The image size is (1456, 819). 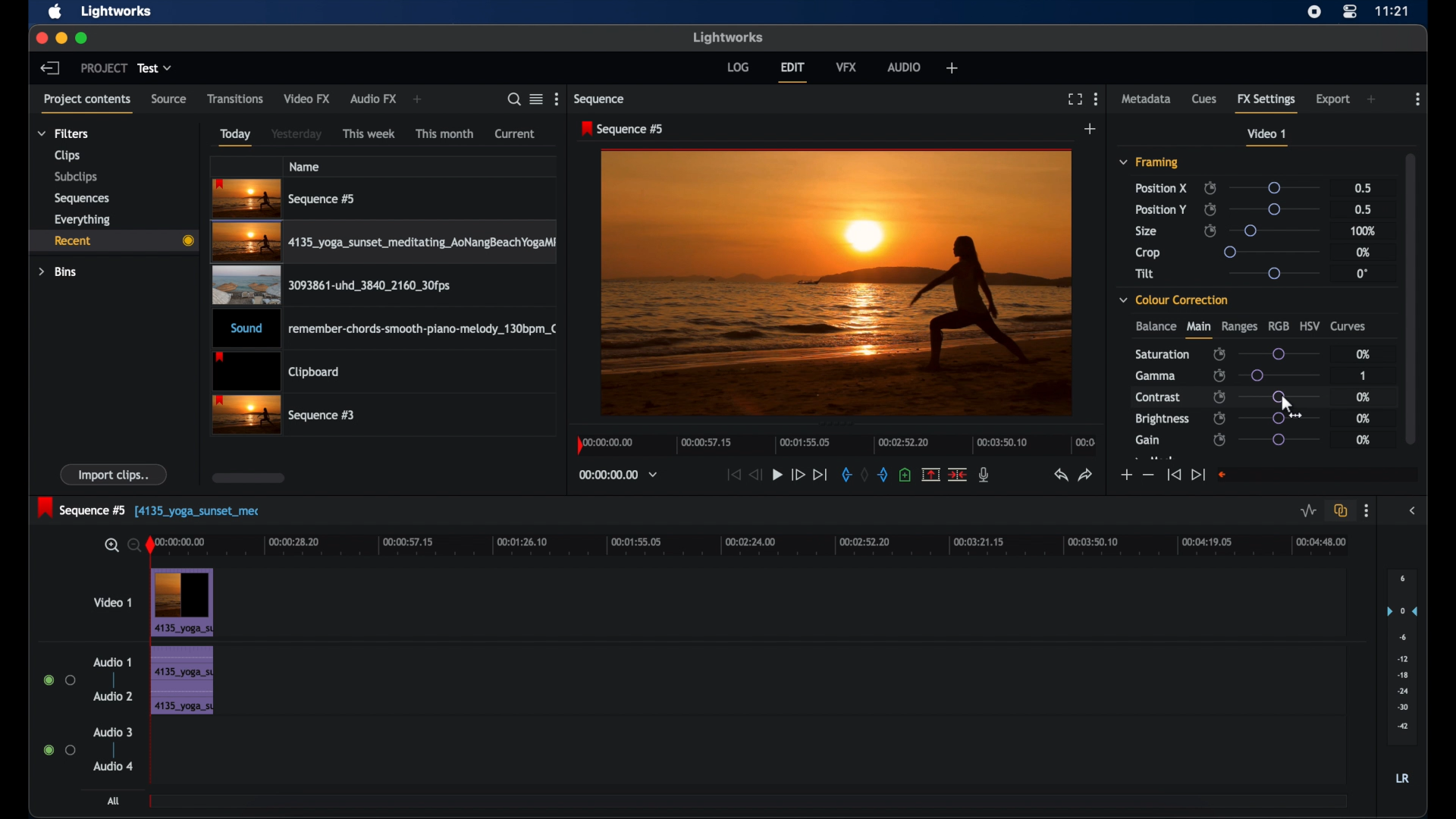 I want to click on screen recorder icon, so click(x=1314, y=12).